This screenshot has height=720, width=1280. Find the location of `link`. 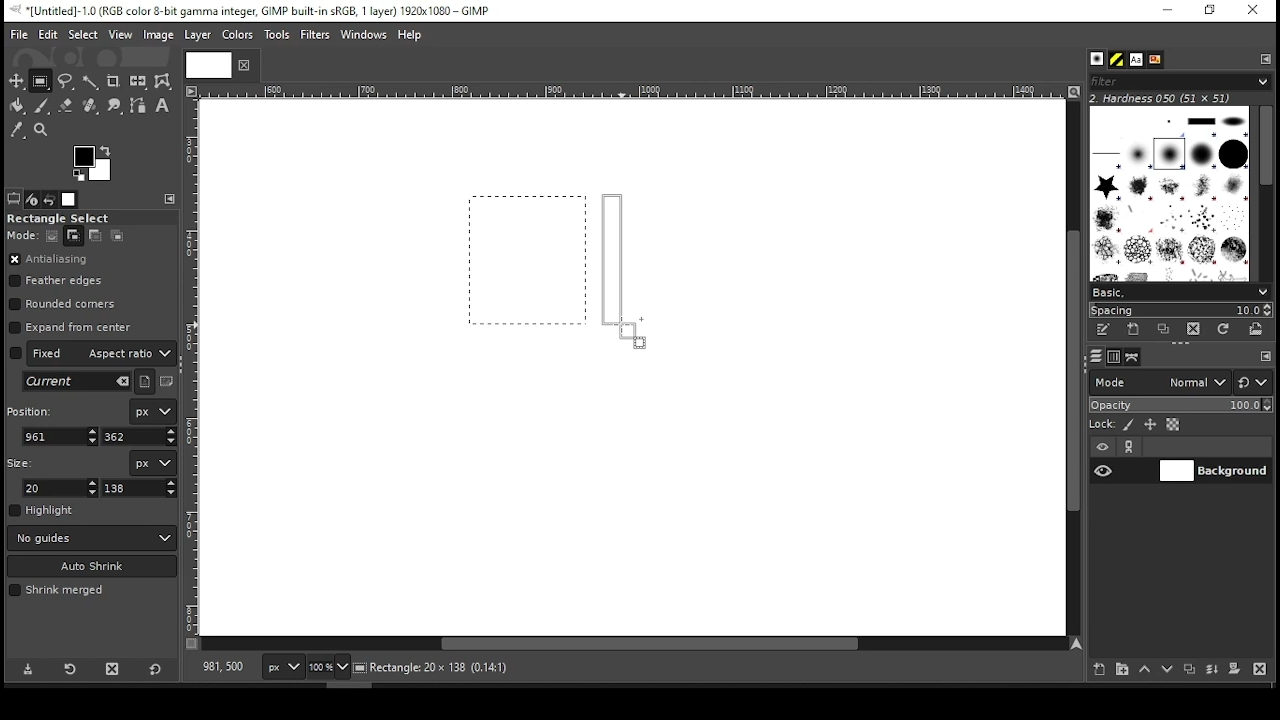

link is located at coordinates (1129, 447).